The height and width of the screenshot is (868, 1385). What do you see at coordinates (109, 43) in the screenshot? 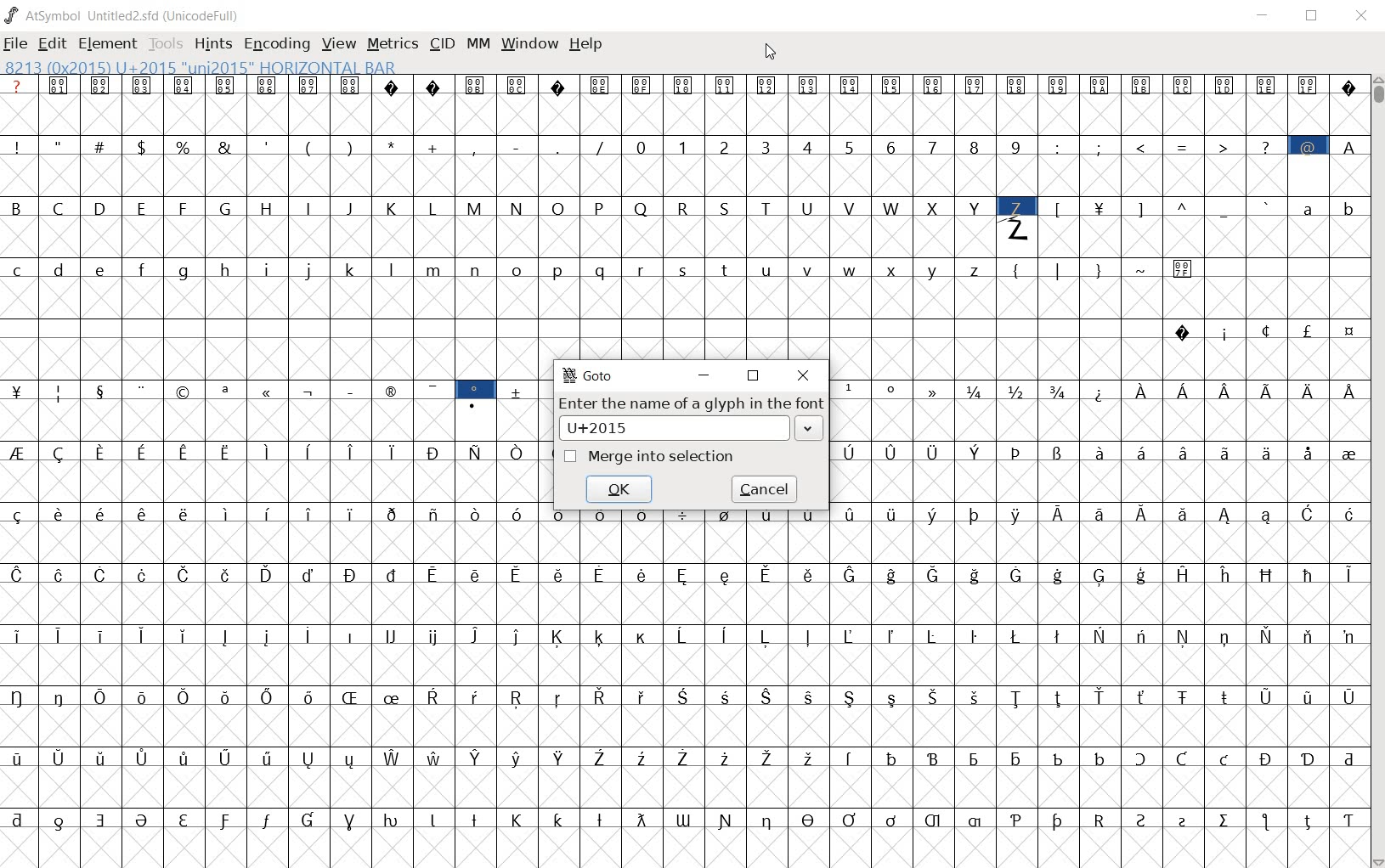
I see `ELEMENT` at bounding box center [109, 43].